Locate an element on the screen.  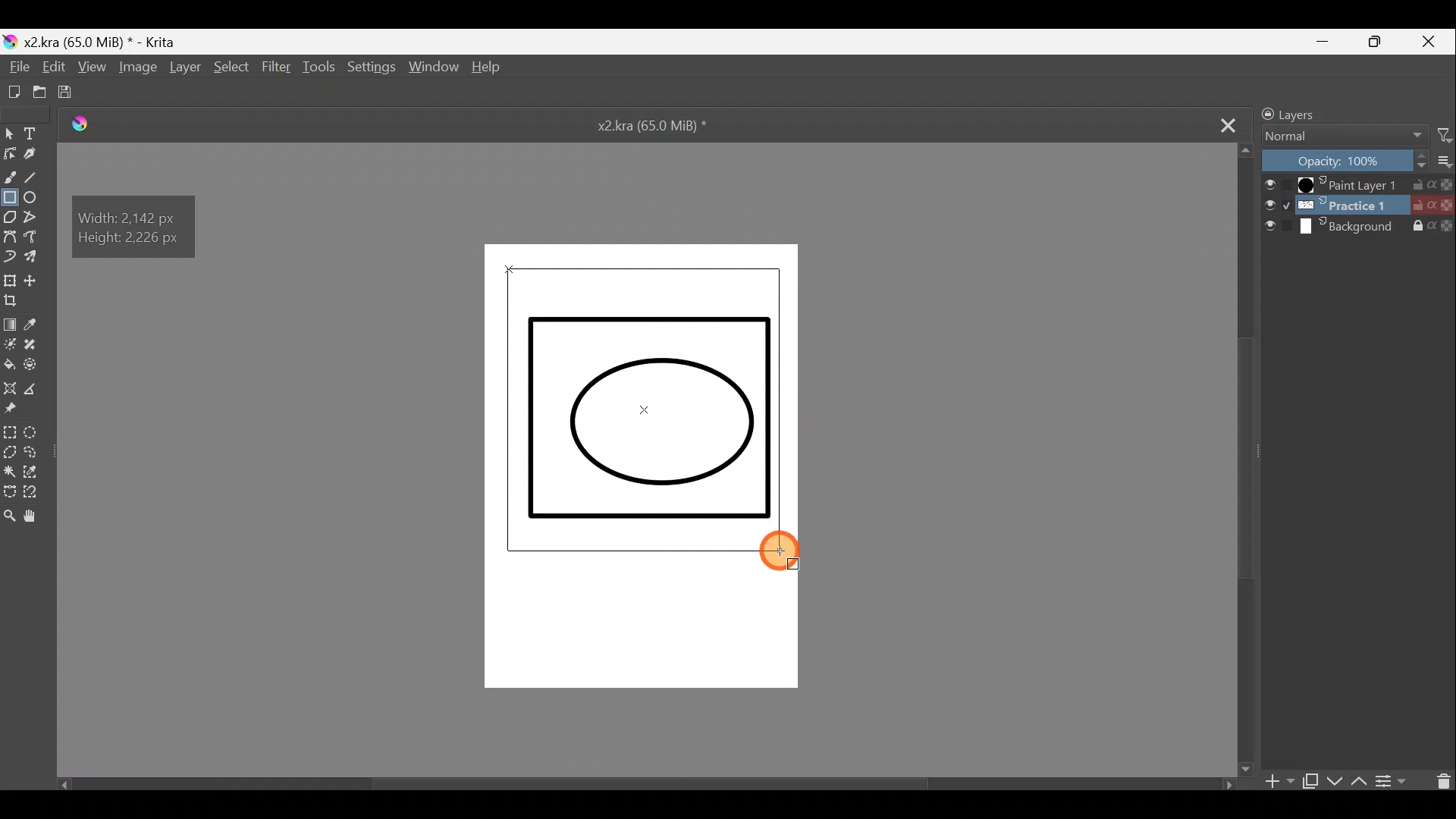
Open an existing document is located at coordinates (38, 93).